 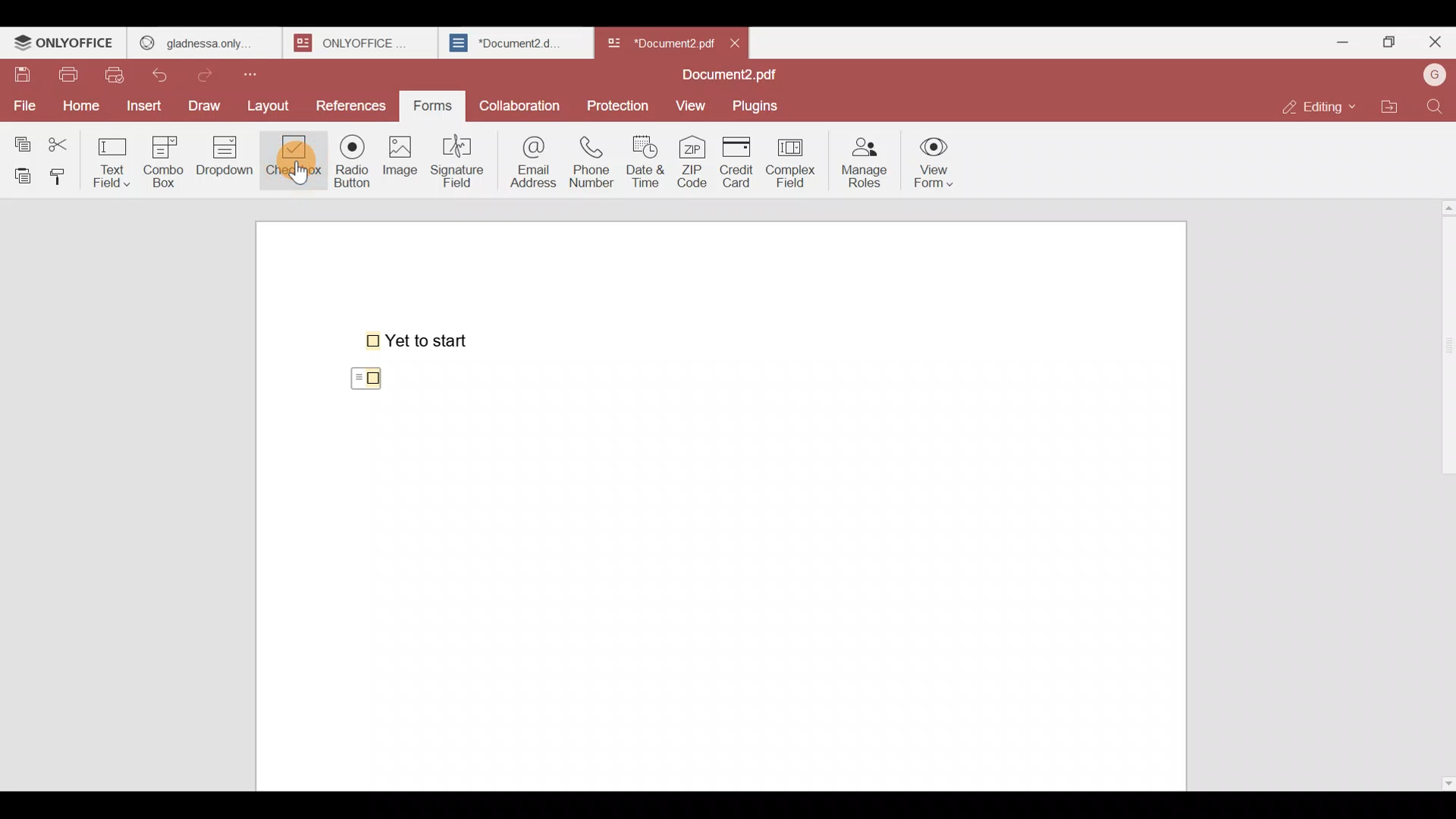 What do you see at coordinates (263, 71) in the screenshot?
I see `Customize quick access toolbar` at bounding box center [263, 71].